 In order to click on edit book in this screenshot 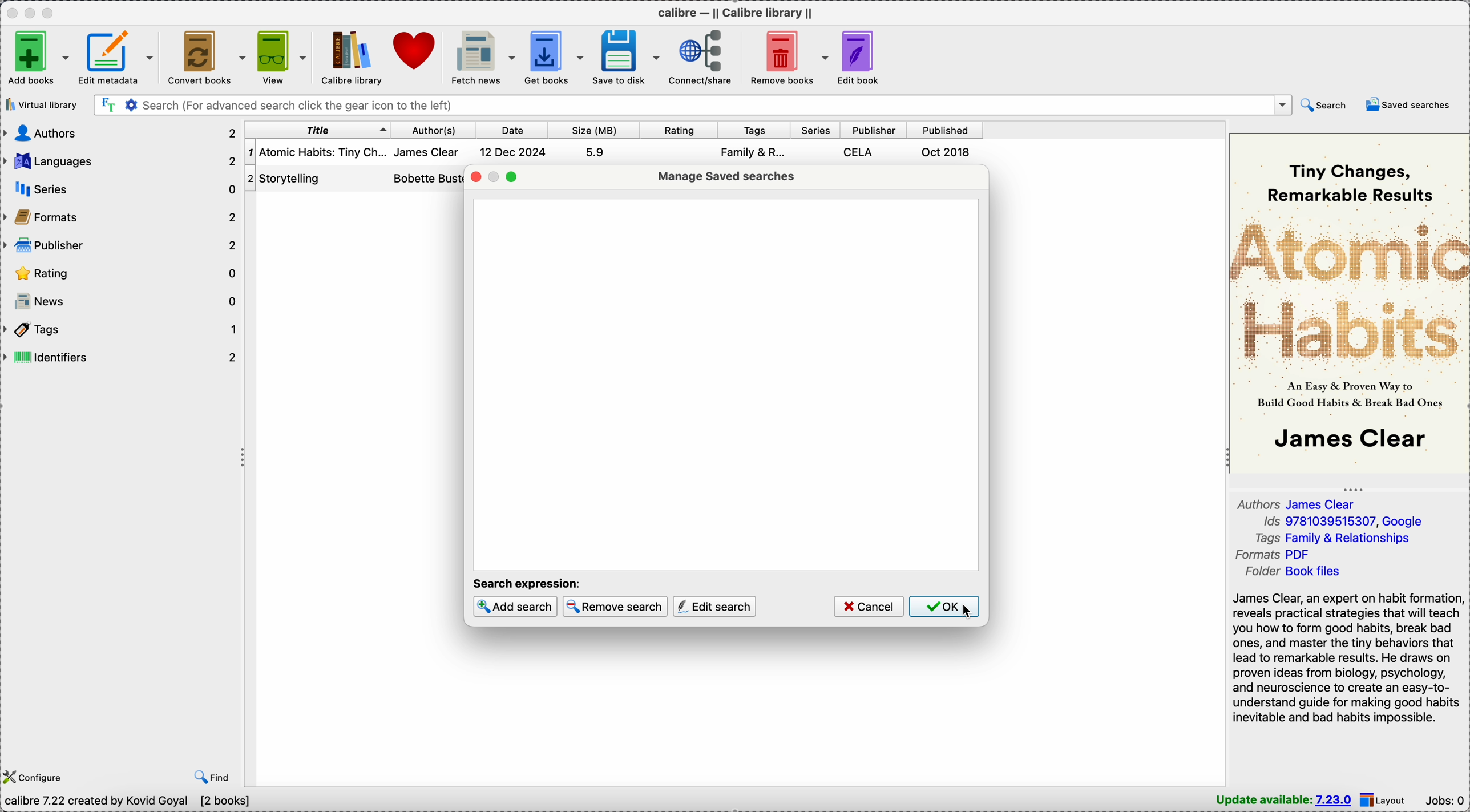, I will do `click(863, 58)`.